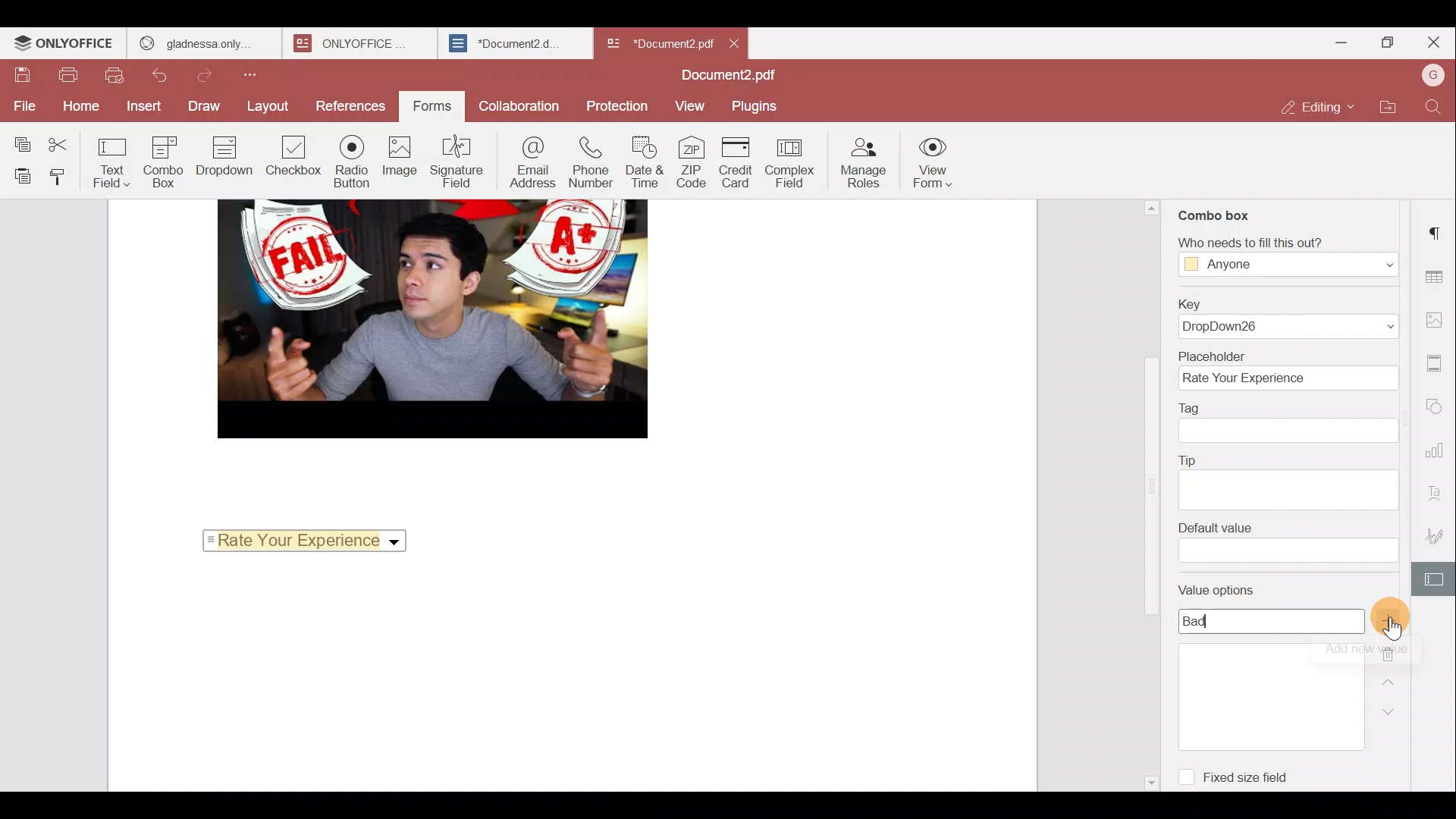 This screenshot has width=1456, height=819. What do you see at coordinates (1280, 256) in the screenshot?
I see `‘Who needs to fill this out?` at bounding box center [1280, 256].